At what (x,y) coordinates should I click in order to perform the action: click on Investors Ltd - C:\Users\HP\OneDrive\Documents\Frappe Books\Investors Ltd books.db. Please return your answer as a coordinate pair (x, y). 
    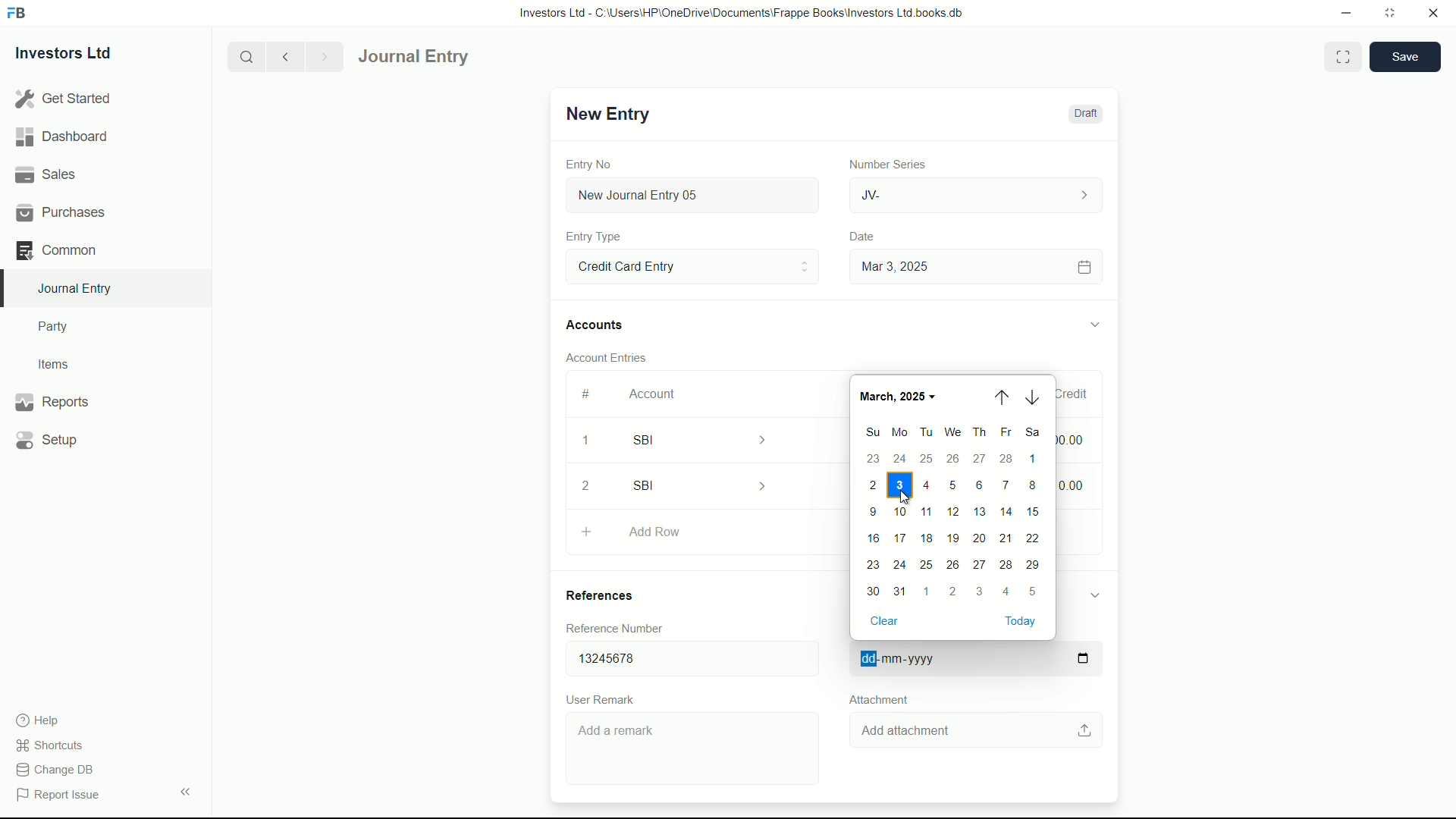
    Looking at the image, I should click on (743, 12).